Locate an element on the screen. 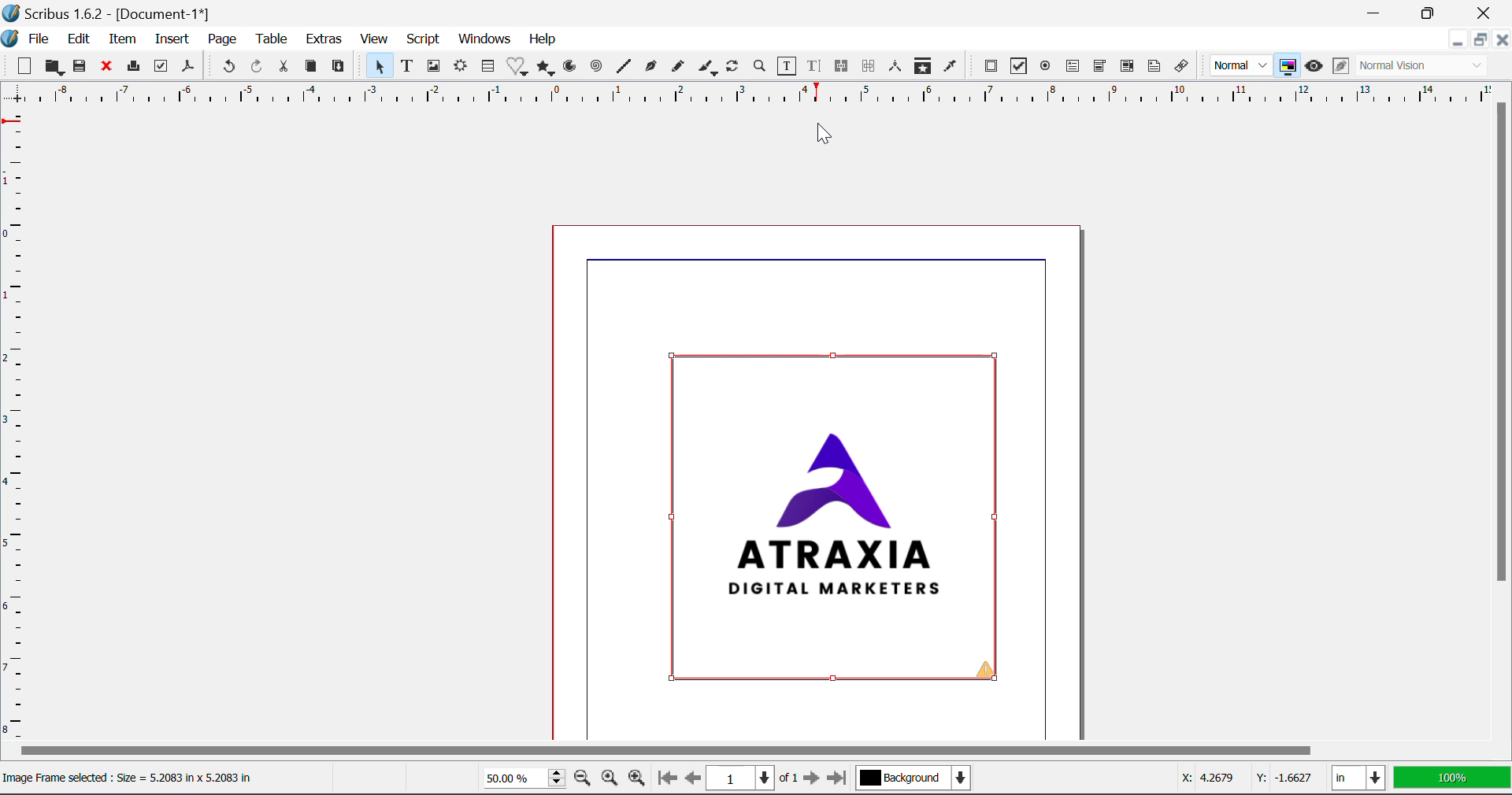  Preview Mode is located at coordinates (1314, 66).